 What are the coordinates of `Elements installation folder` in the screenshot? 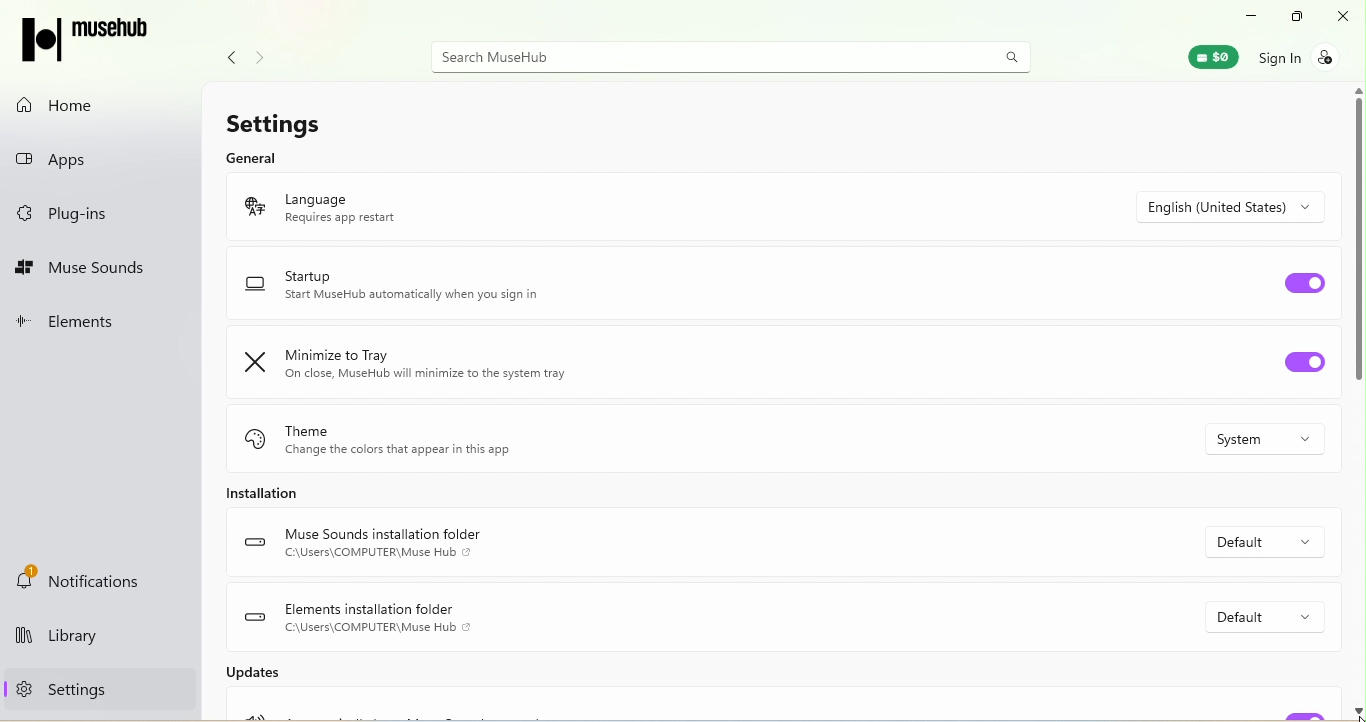 It's located at (372, 609).